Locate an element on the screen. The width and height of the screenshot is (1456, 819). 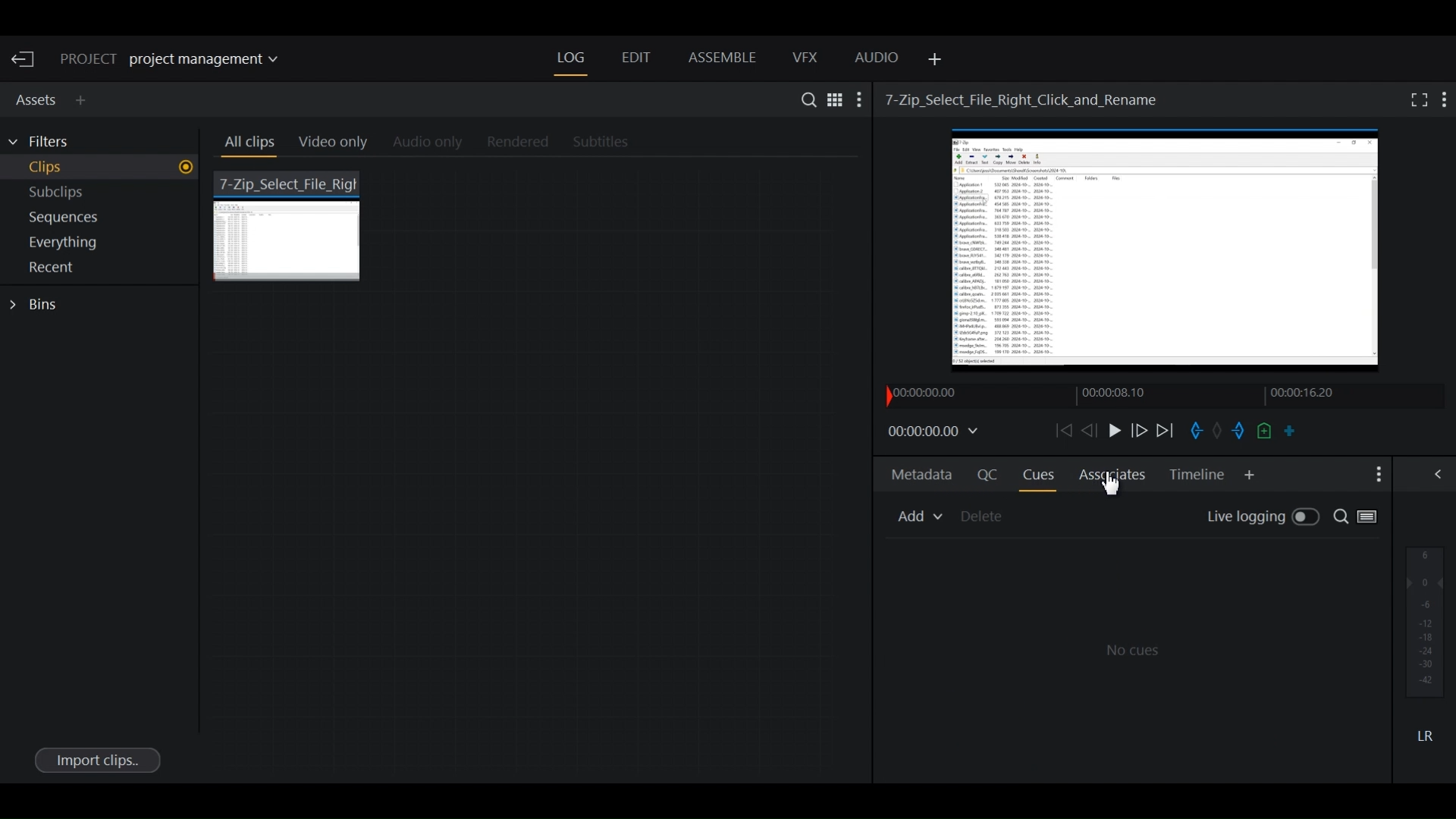
Show Recent in current project is located at coordinates (102, 268).